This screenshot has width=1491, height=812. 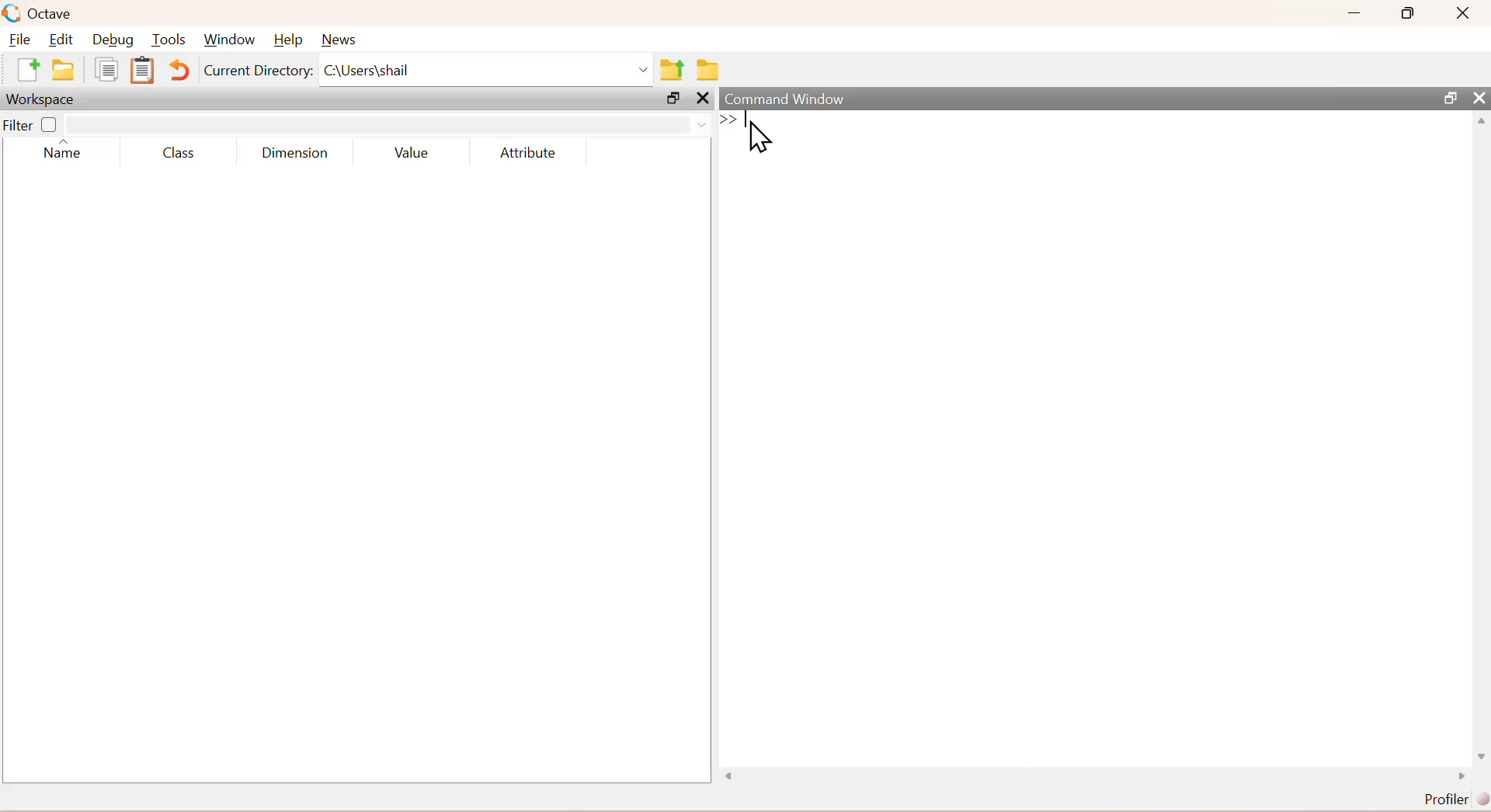 I want to click on Name, so click(x=64, y=153).